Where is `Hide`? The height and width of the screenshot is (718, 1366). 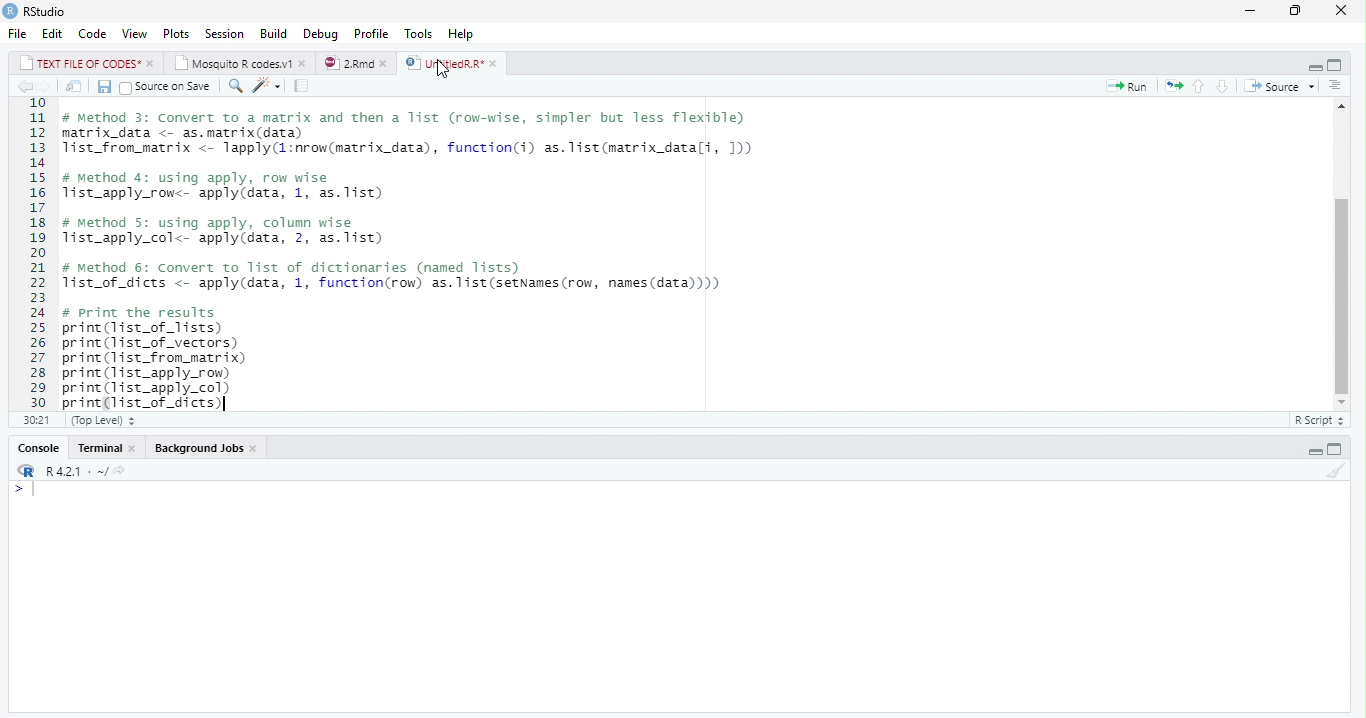
Hide is located at coordinates (1310, 67).